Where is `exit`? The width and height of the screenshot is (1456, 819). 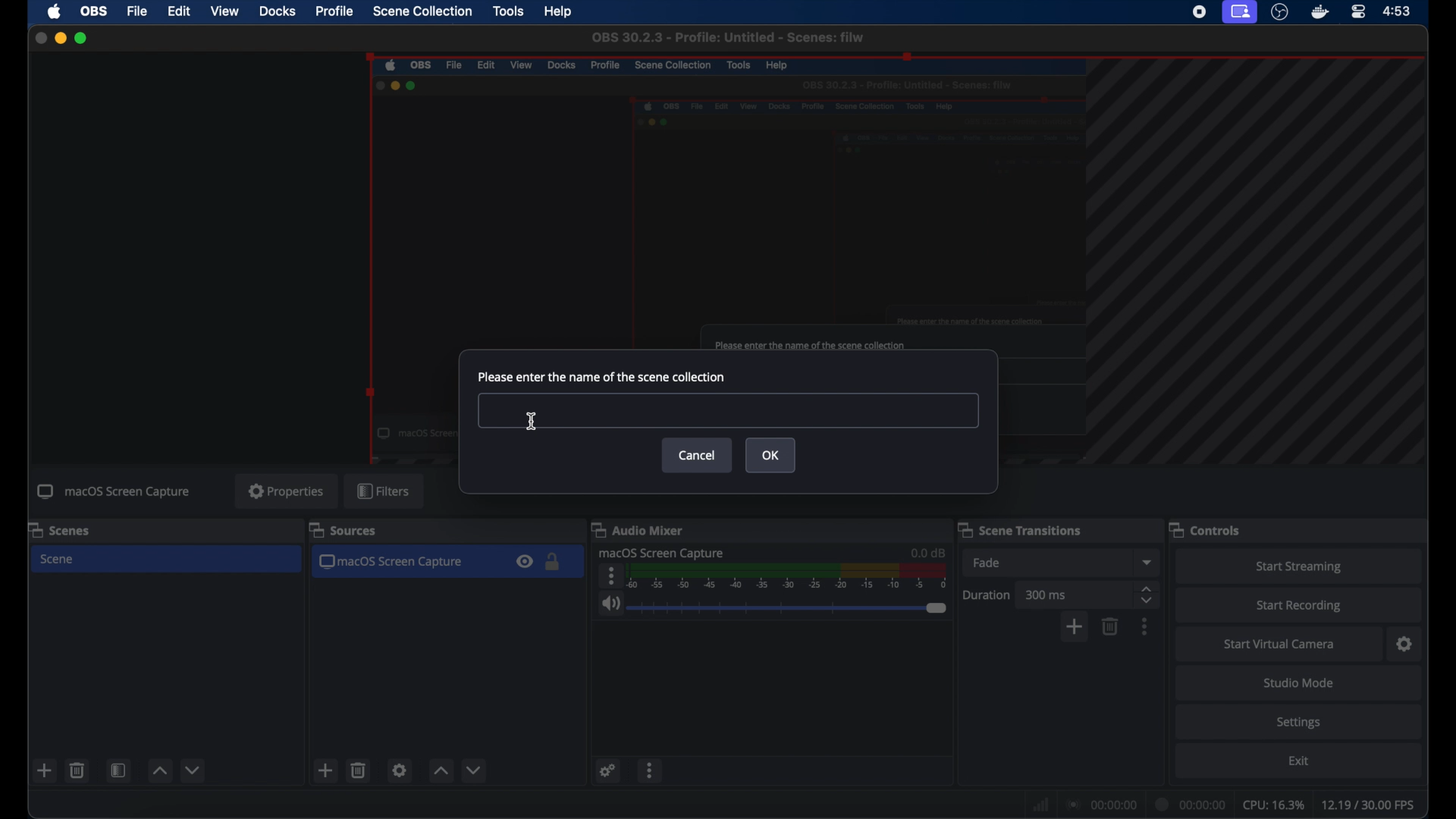 exit is located at coordinates (1299, 764).